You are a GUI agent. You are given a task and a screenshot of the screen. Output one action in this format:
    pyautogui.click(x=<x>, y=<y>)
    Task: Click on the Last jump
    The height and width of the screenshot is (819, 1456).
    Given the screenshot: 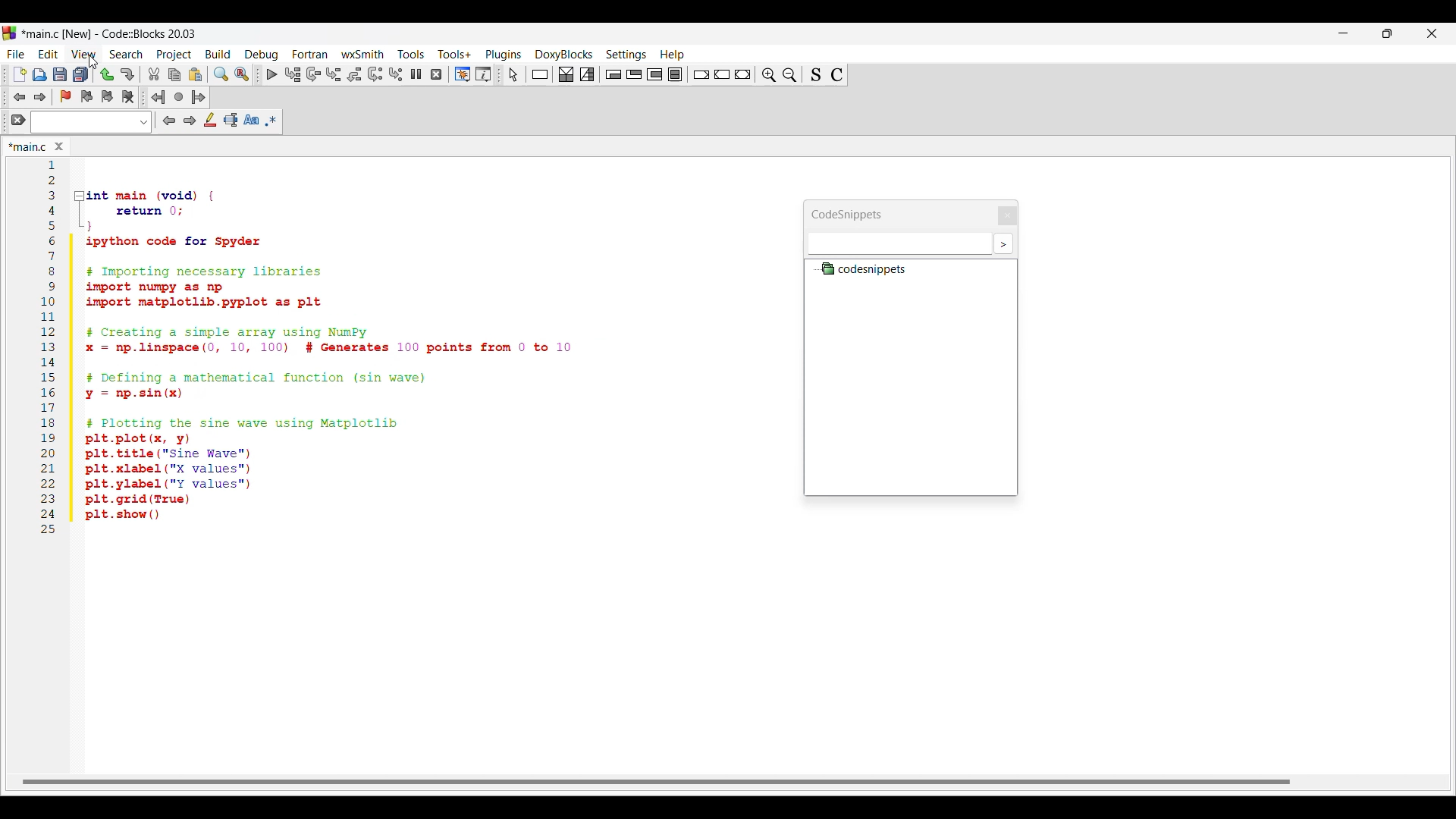 What is the action you would take?
    pyautogui.click(x=179, y=97)
    